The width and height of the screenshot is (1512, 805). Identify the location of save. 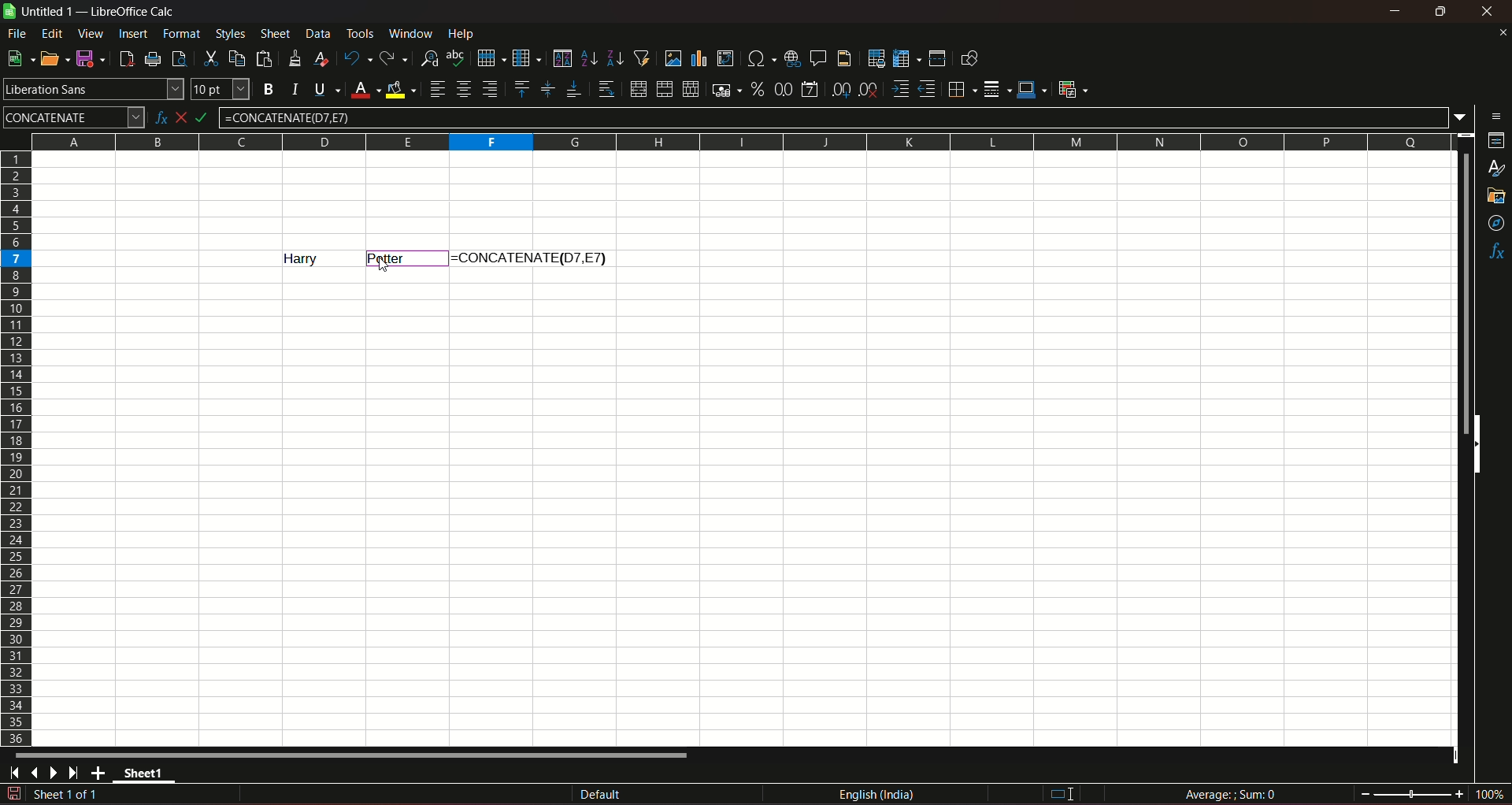
(87, 57).